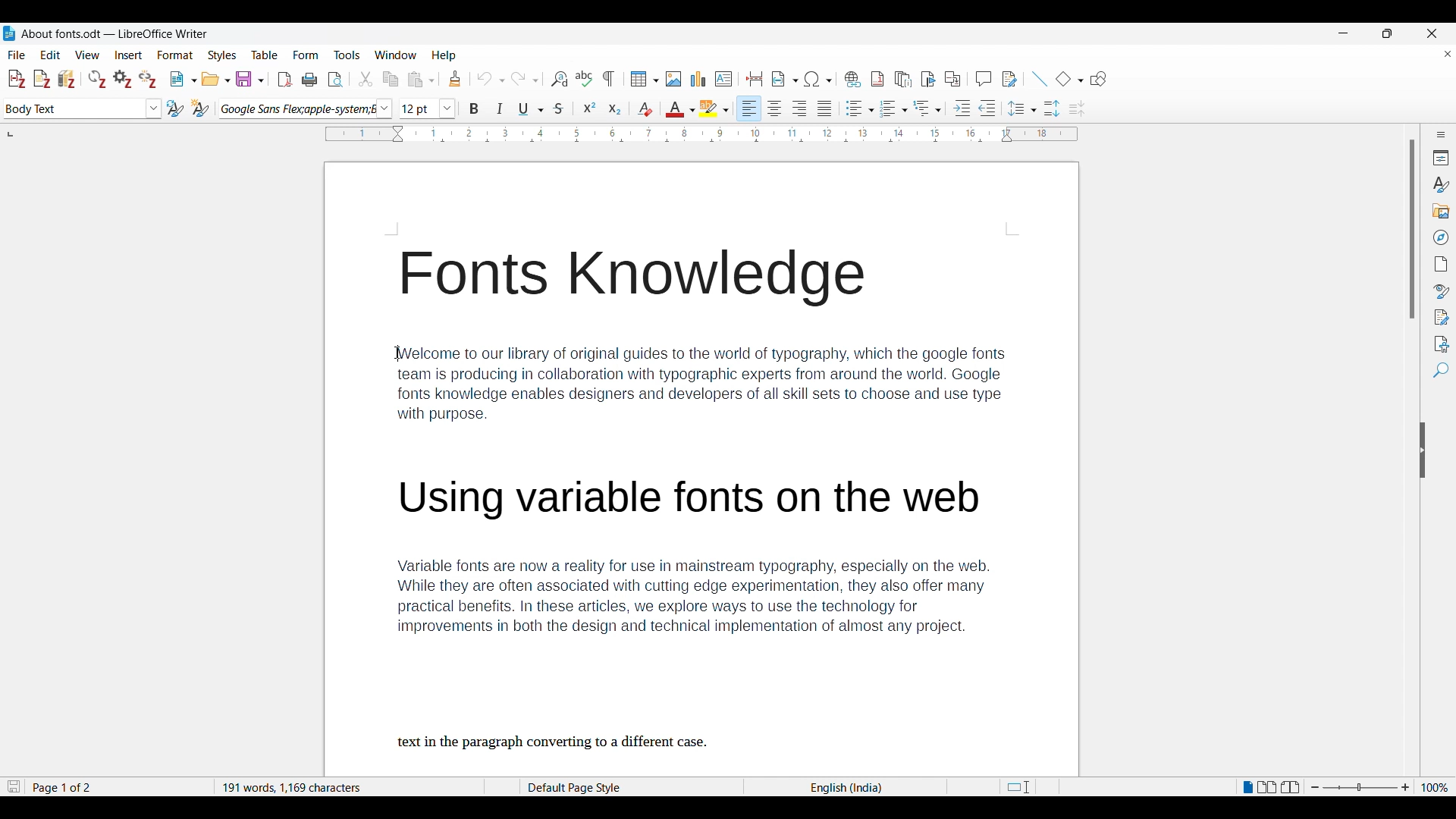  Describe the element at coordinates (785, 79) in the screenshot. I see `Insert field` at that location.